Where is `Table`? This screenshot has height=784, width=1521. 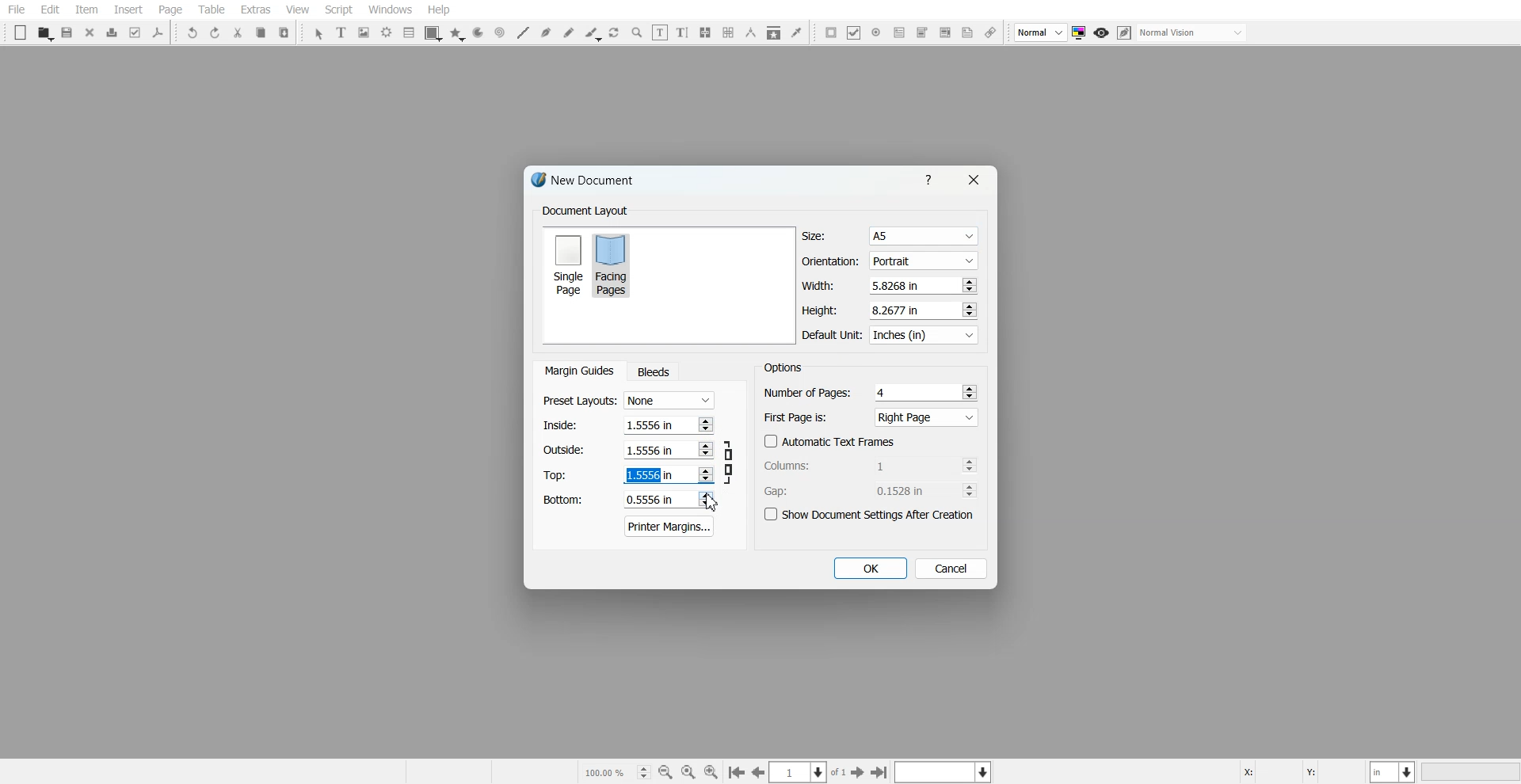
Table is located at coordinates (211, 10).